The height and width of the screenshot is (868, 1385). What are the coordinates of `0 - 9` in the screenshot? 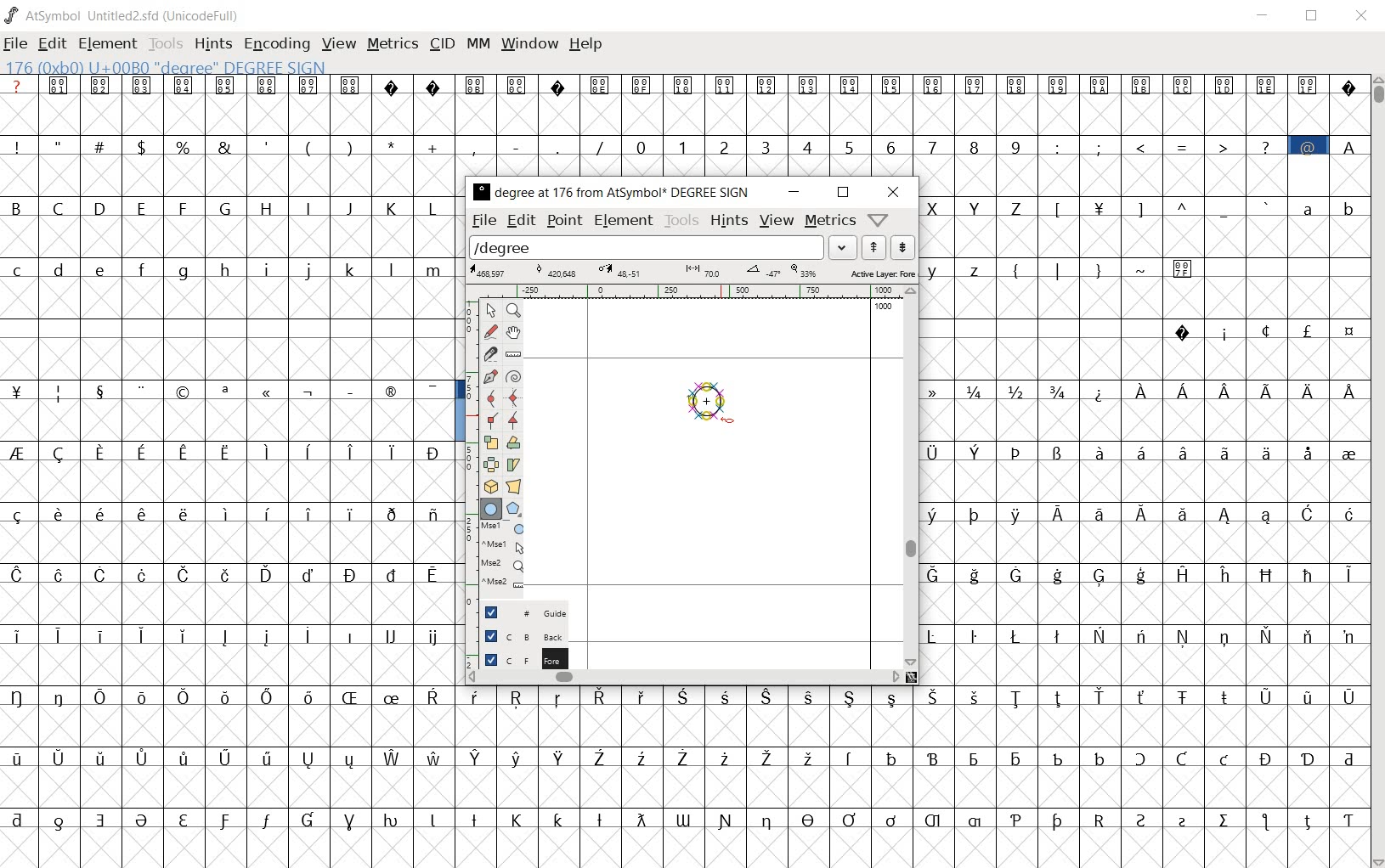 It's located at (825, 145).